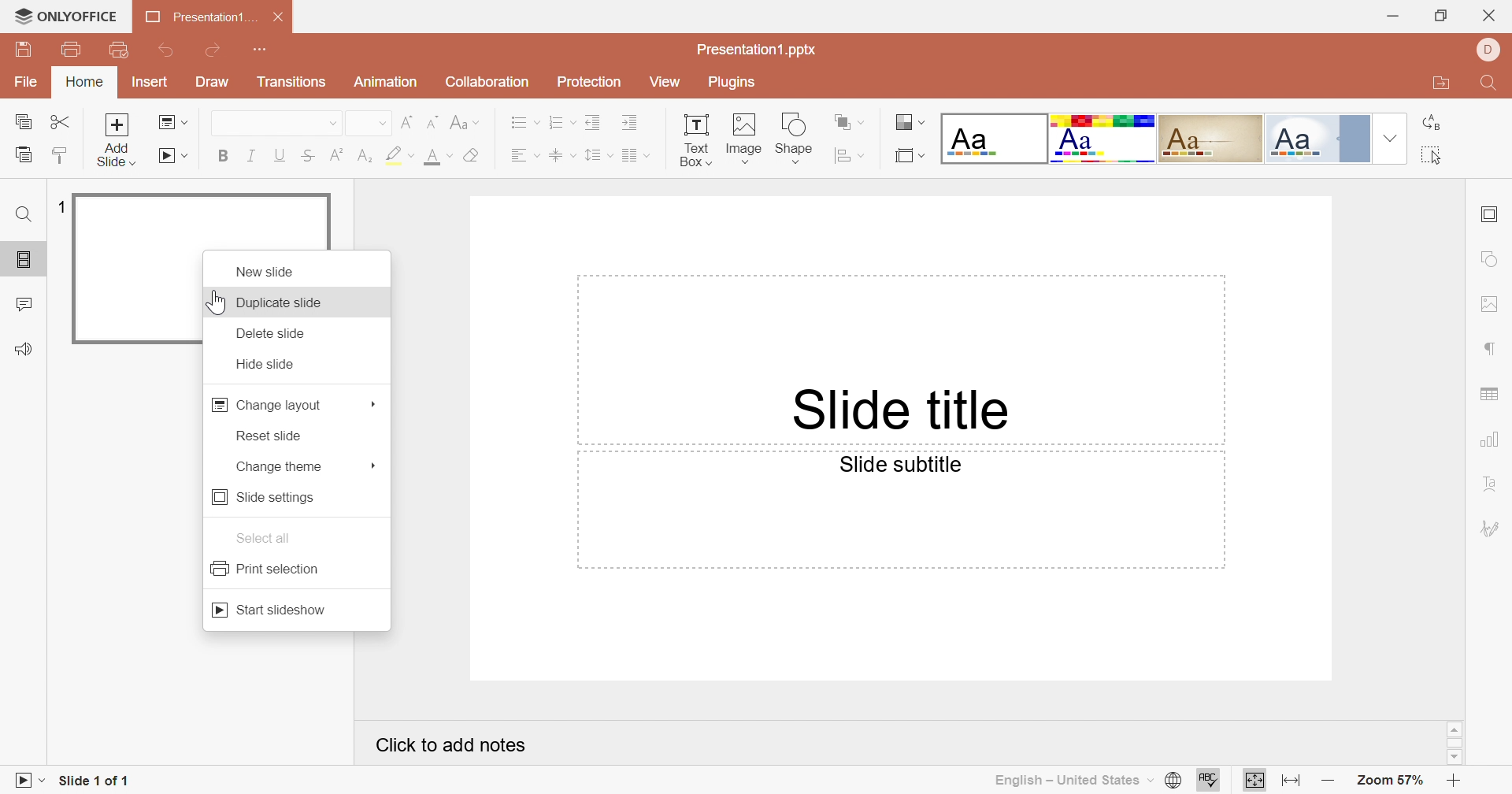  What do you see at coordinates (696, 137) in the screenshot?
I see `text box` at bounding box center [696, 137].